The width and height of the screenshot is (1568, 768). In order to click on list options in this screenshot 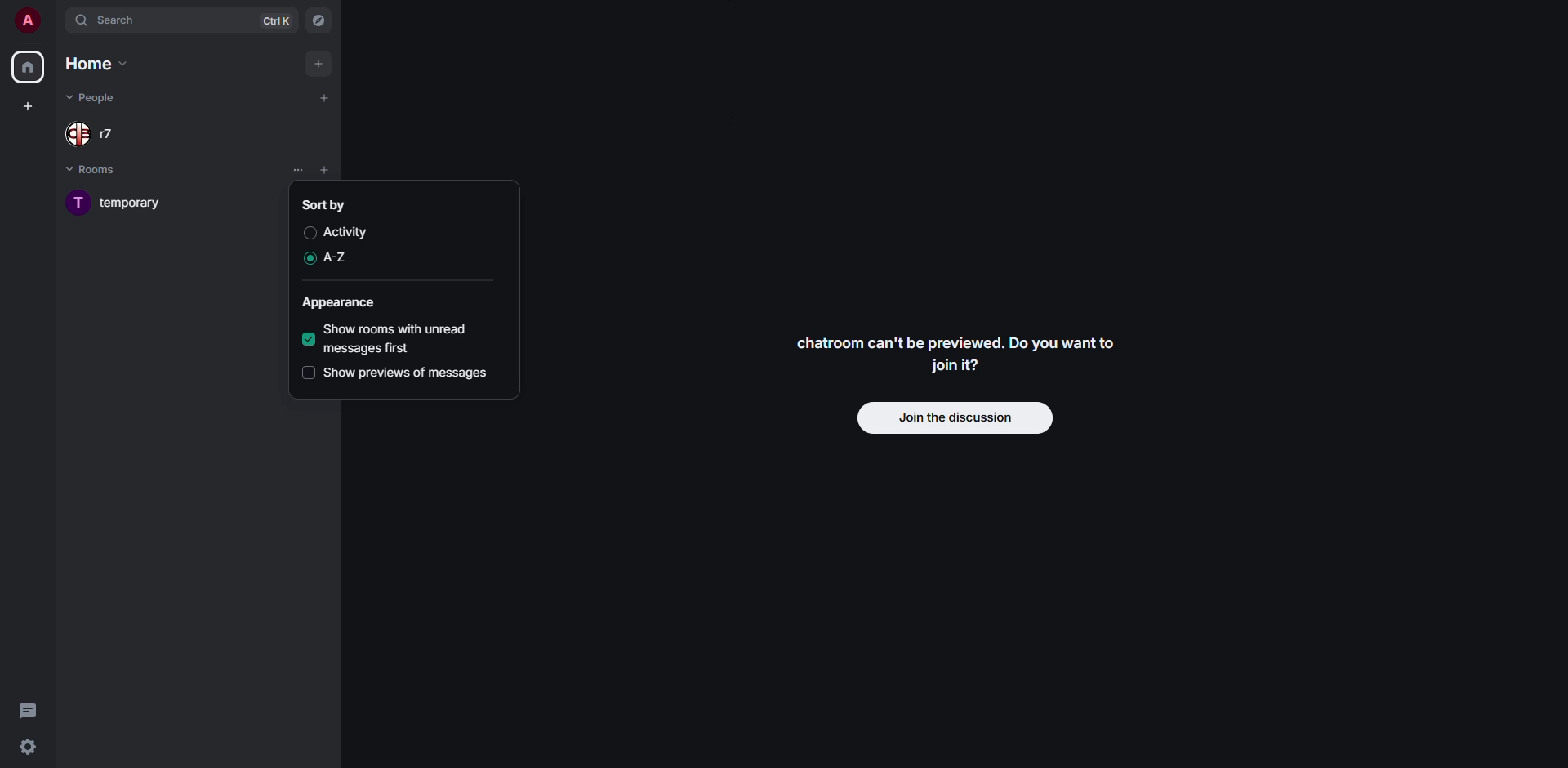, I will do `click(300, 169)`.